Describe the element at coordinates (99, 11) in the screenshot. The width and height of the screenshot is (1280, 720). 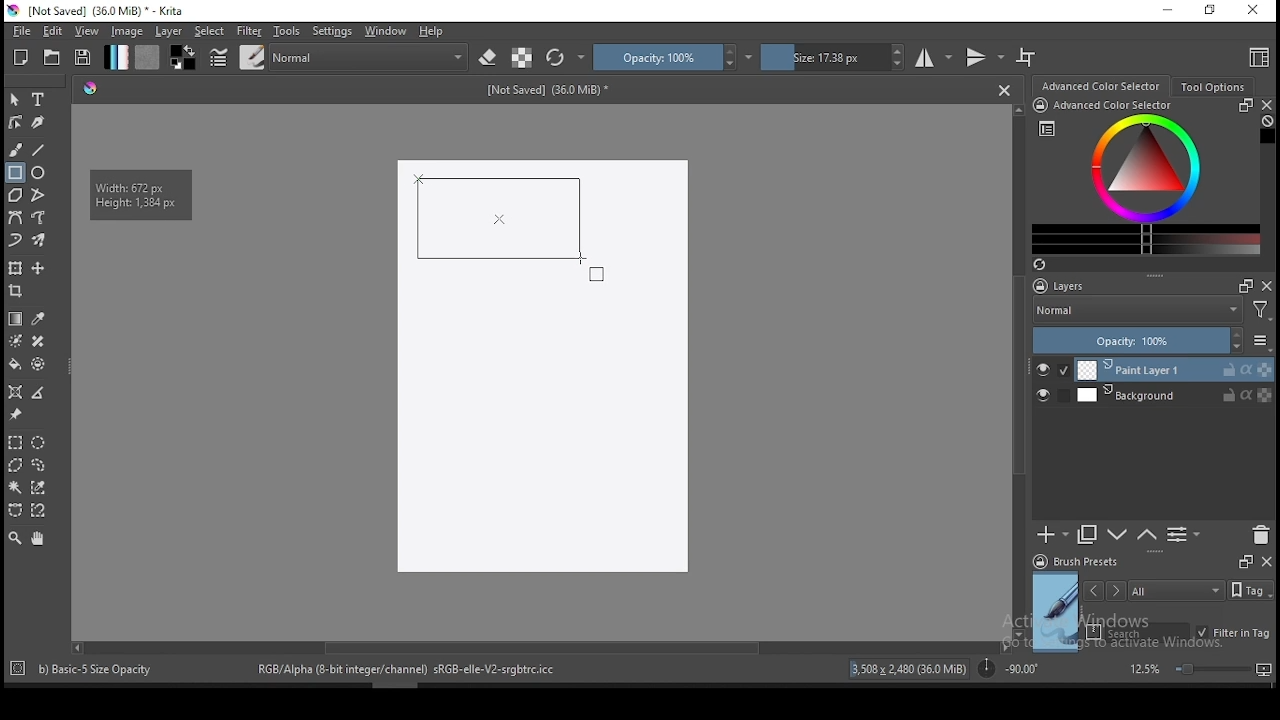
I see `icon and file name` at that location.